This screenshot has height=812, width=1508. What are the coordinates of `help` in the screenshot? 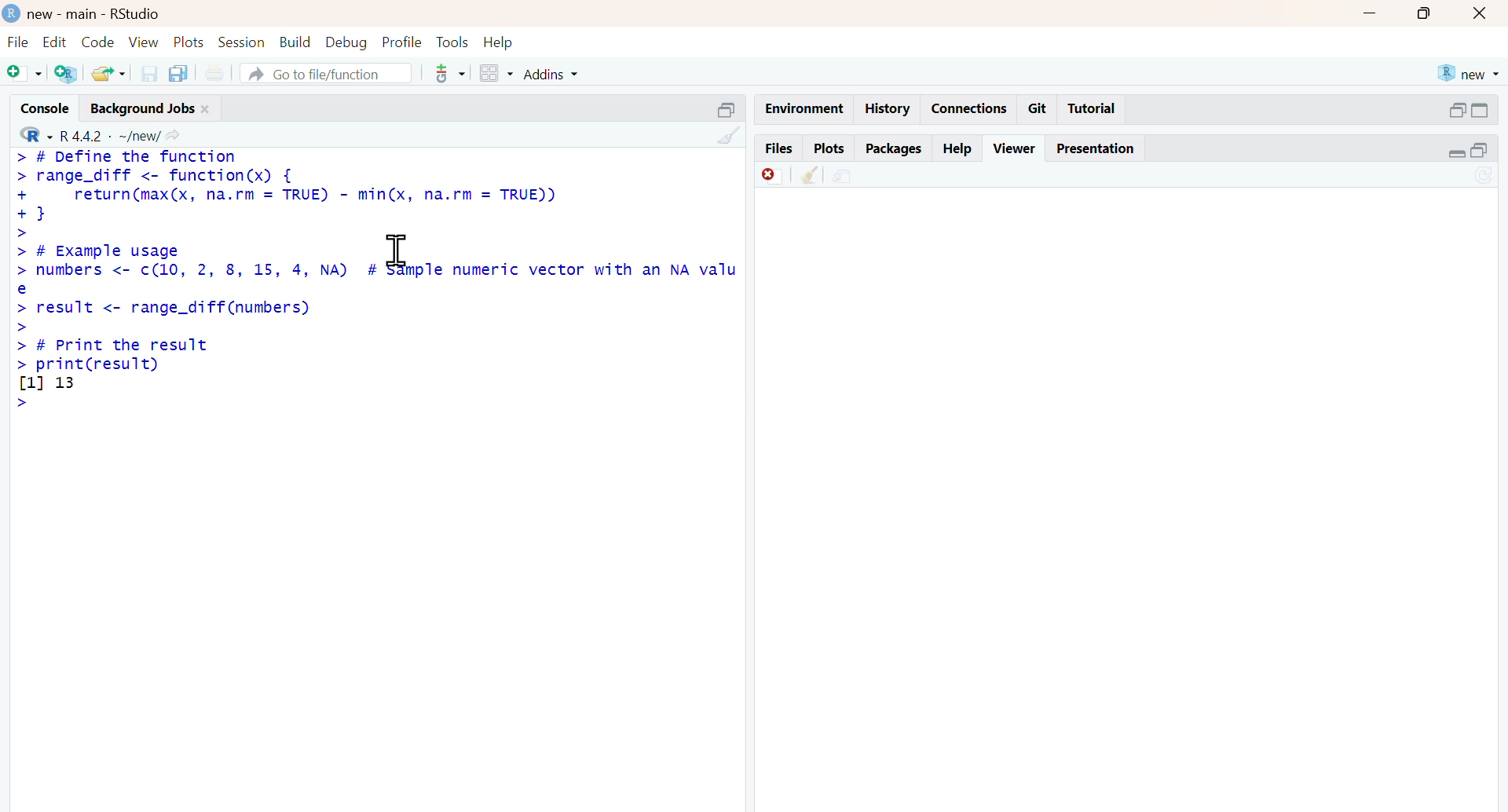 It's located at (959, 150).